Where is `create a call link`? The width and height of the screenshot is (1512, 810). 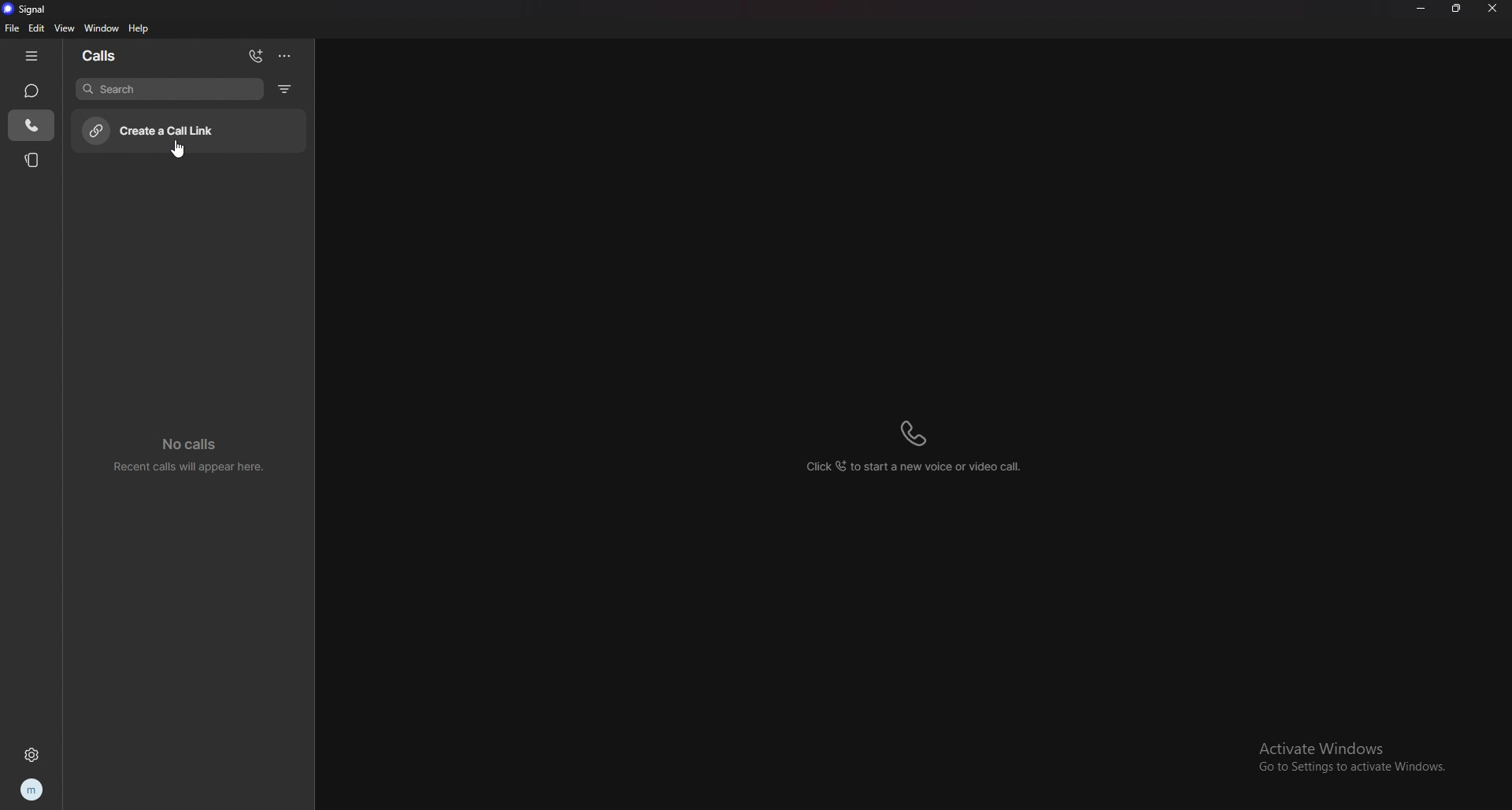
create a call link is located at coordinates (194, 129).